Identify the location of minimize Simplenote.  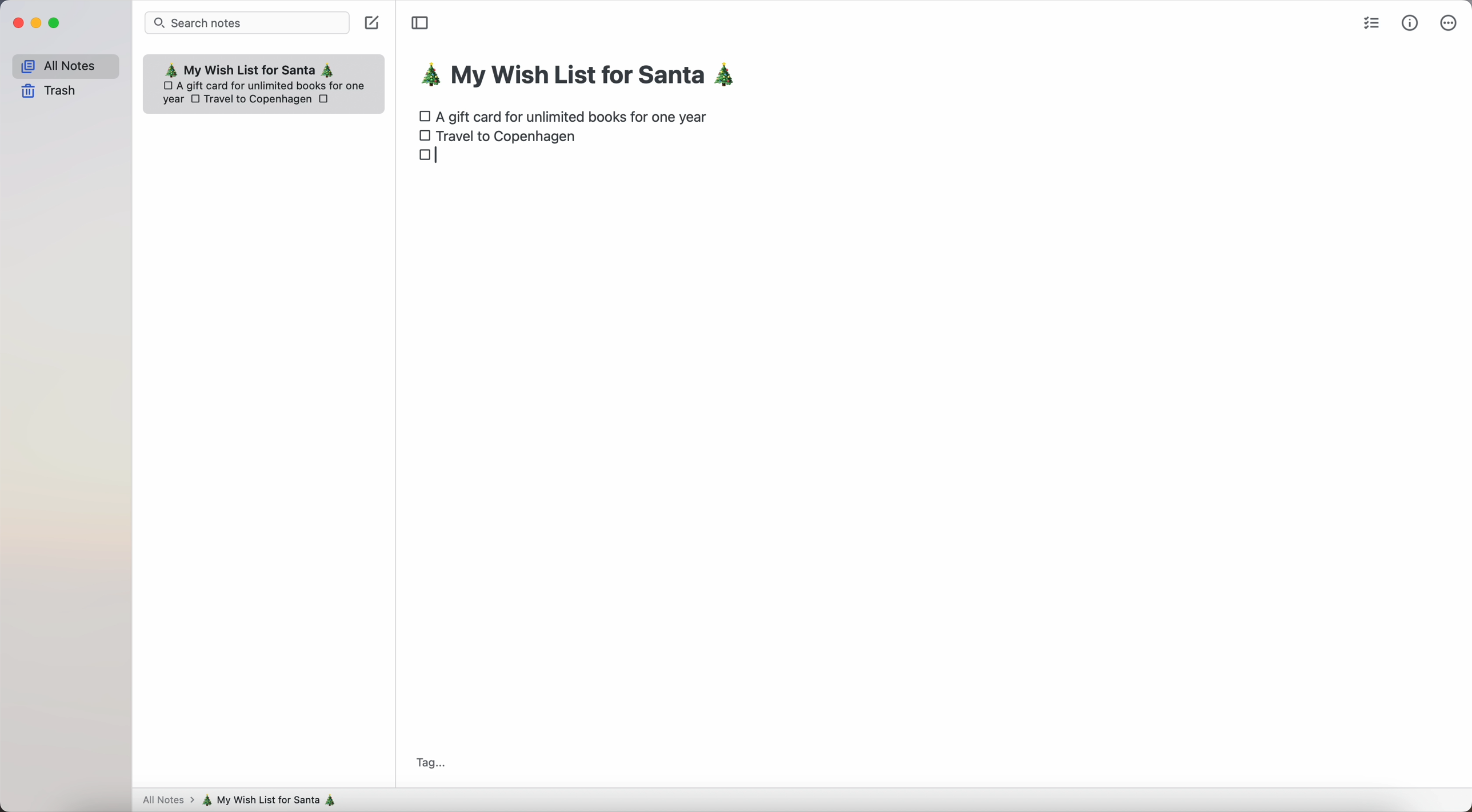
(36, 23).